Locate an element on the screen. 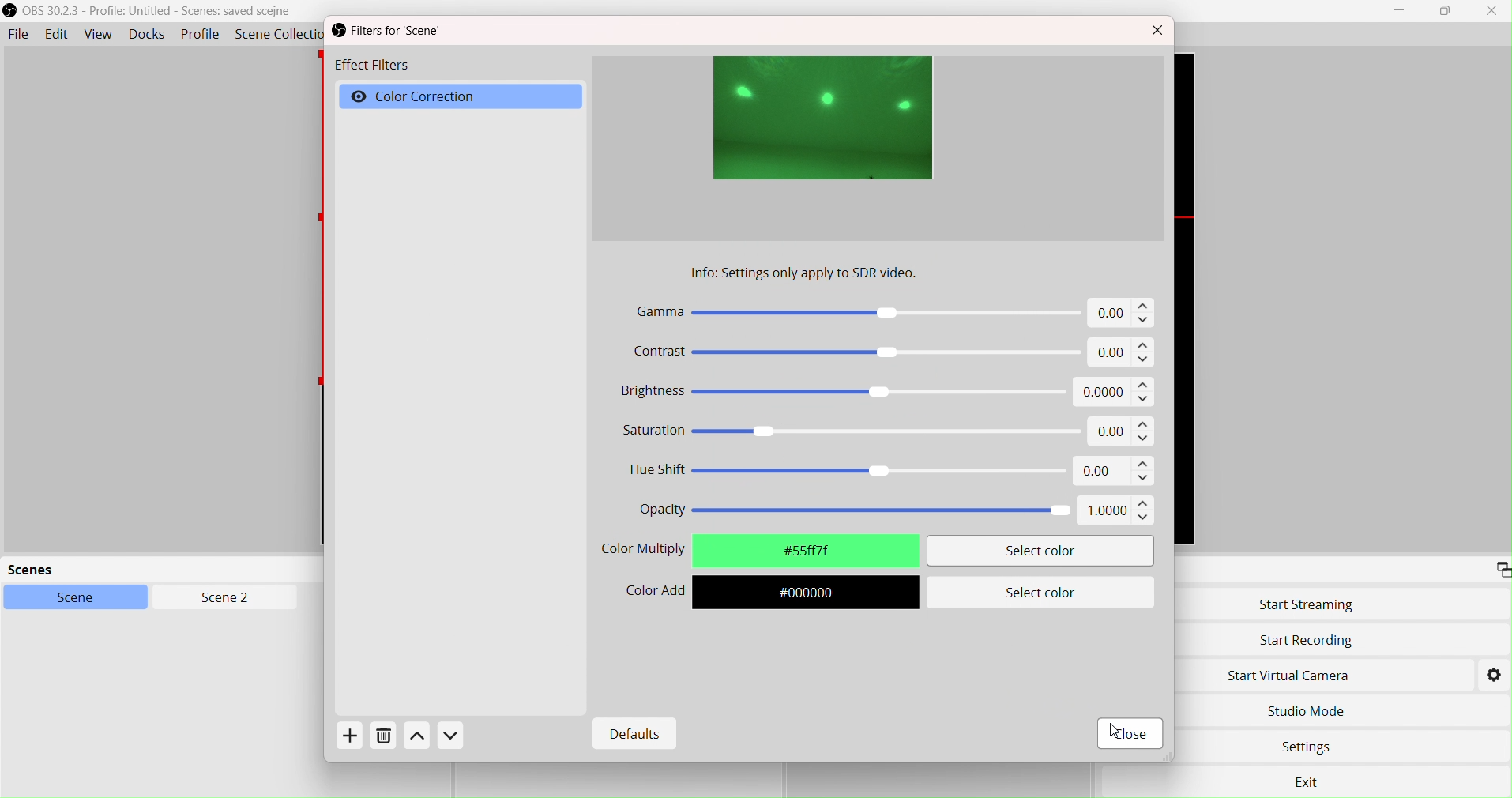 The image size is (1512, 798). 0.00 is located at coordinates (1118, 470).